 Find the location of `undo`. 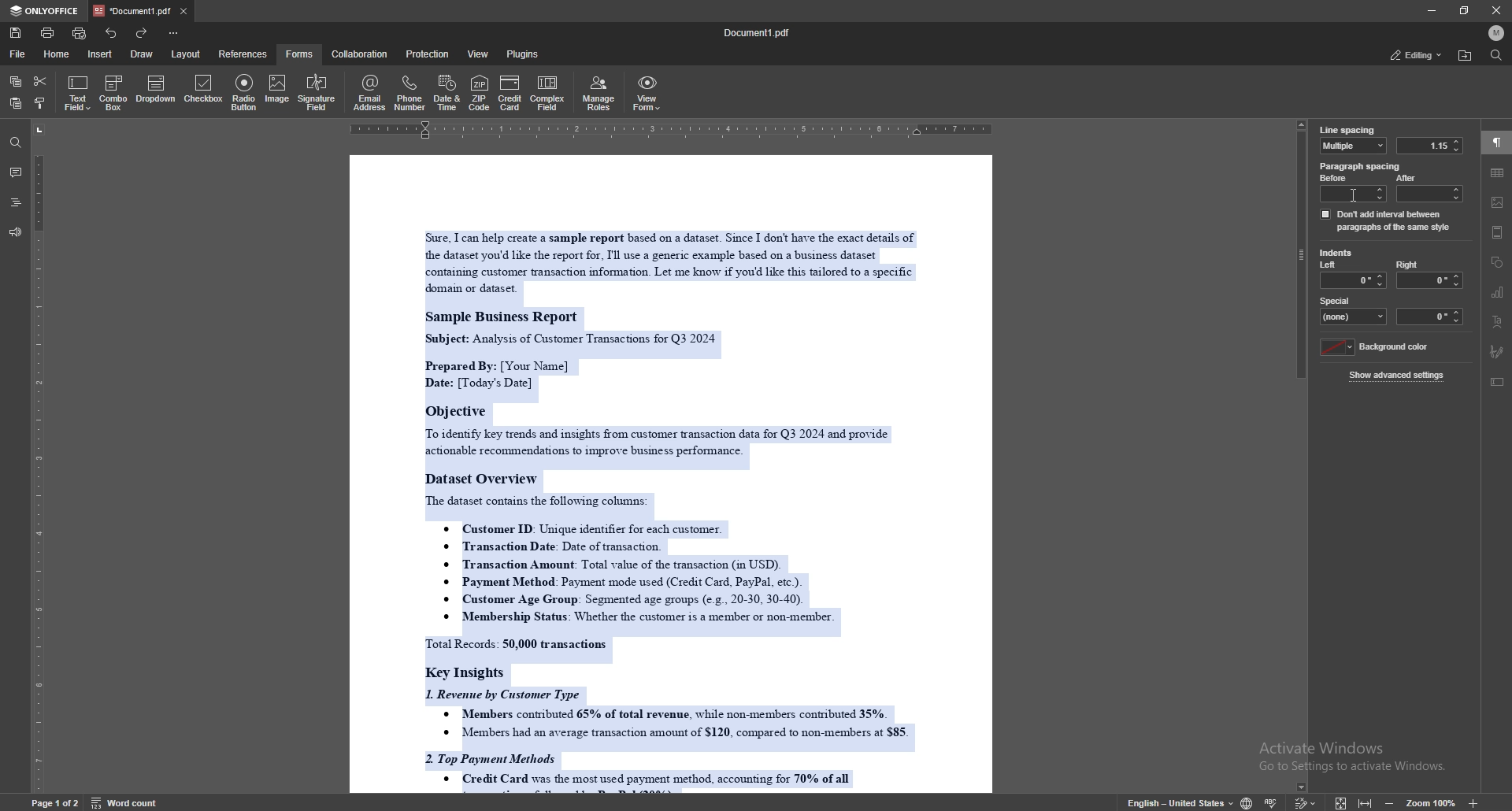

undo is located at coordinates (112, 33).